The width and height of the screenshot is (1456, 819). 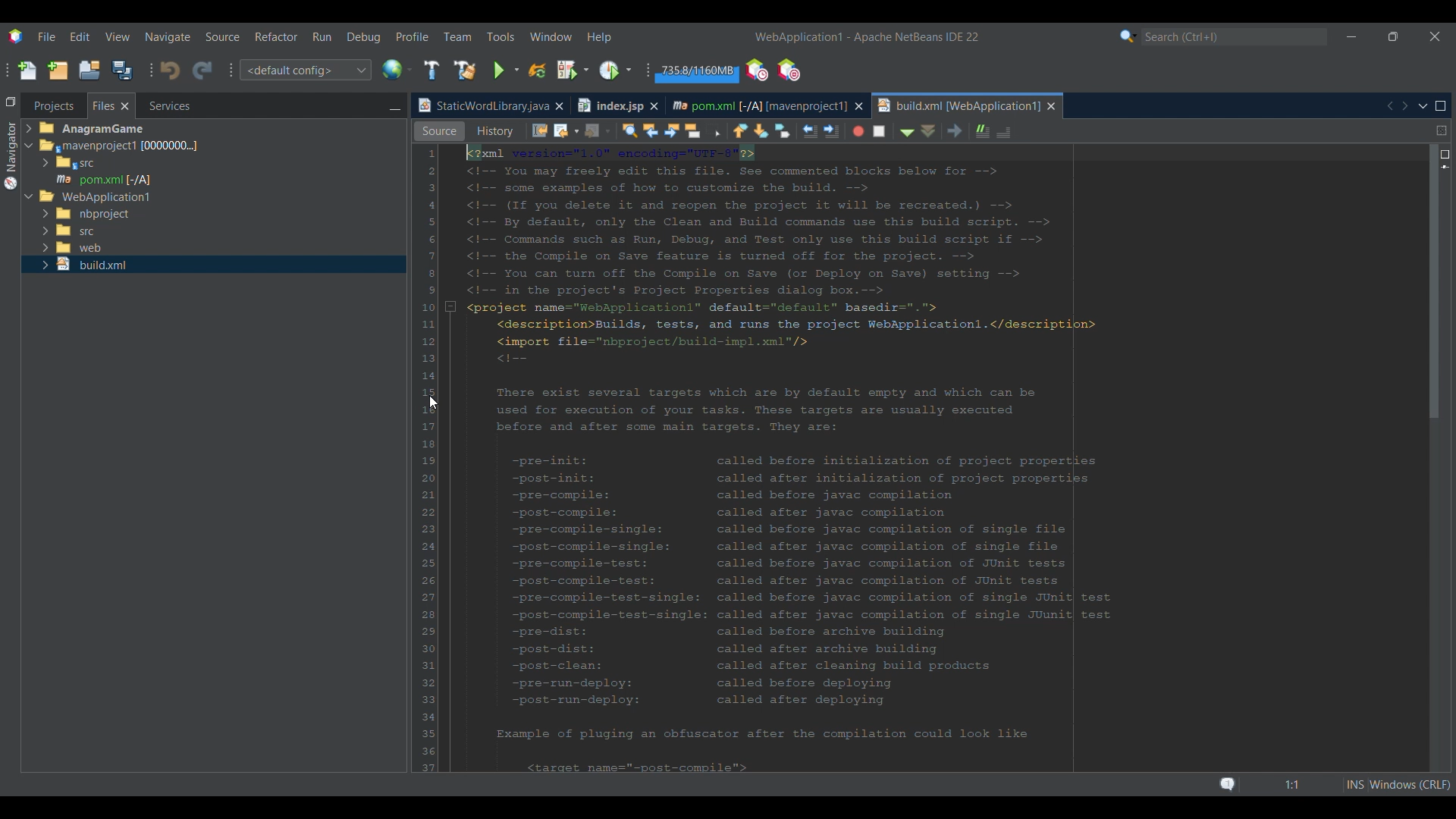 I want to click on Find selection, so click(x=762, y=130).